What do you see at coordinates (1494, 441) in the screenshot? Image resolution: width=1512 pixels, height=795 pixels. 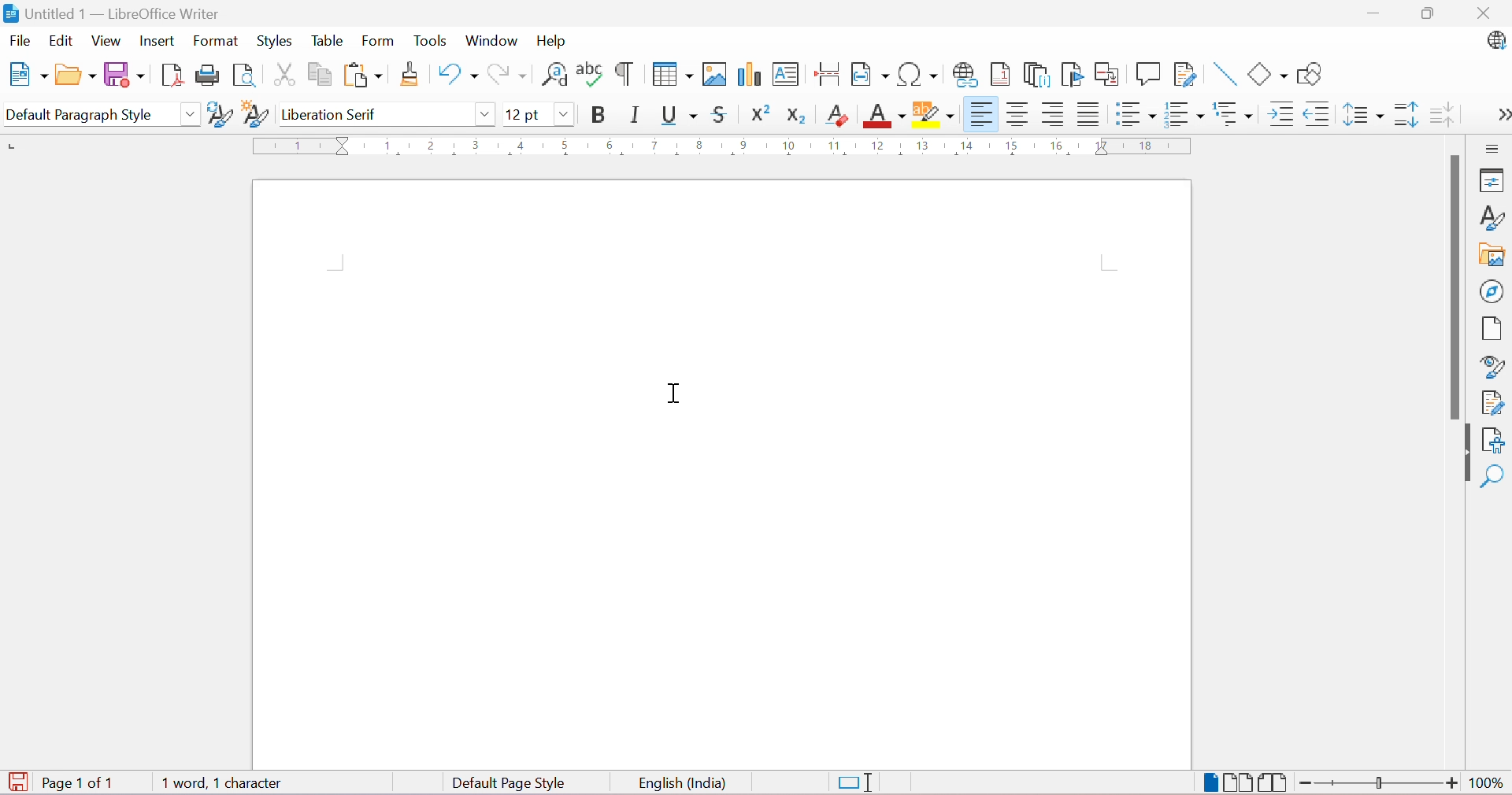 I see `Accessibility Check` at bounding box center [1494, 441].